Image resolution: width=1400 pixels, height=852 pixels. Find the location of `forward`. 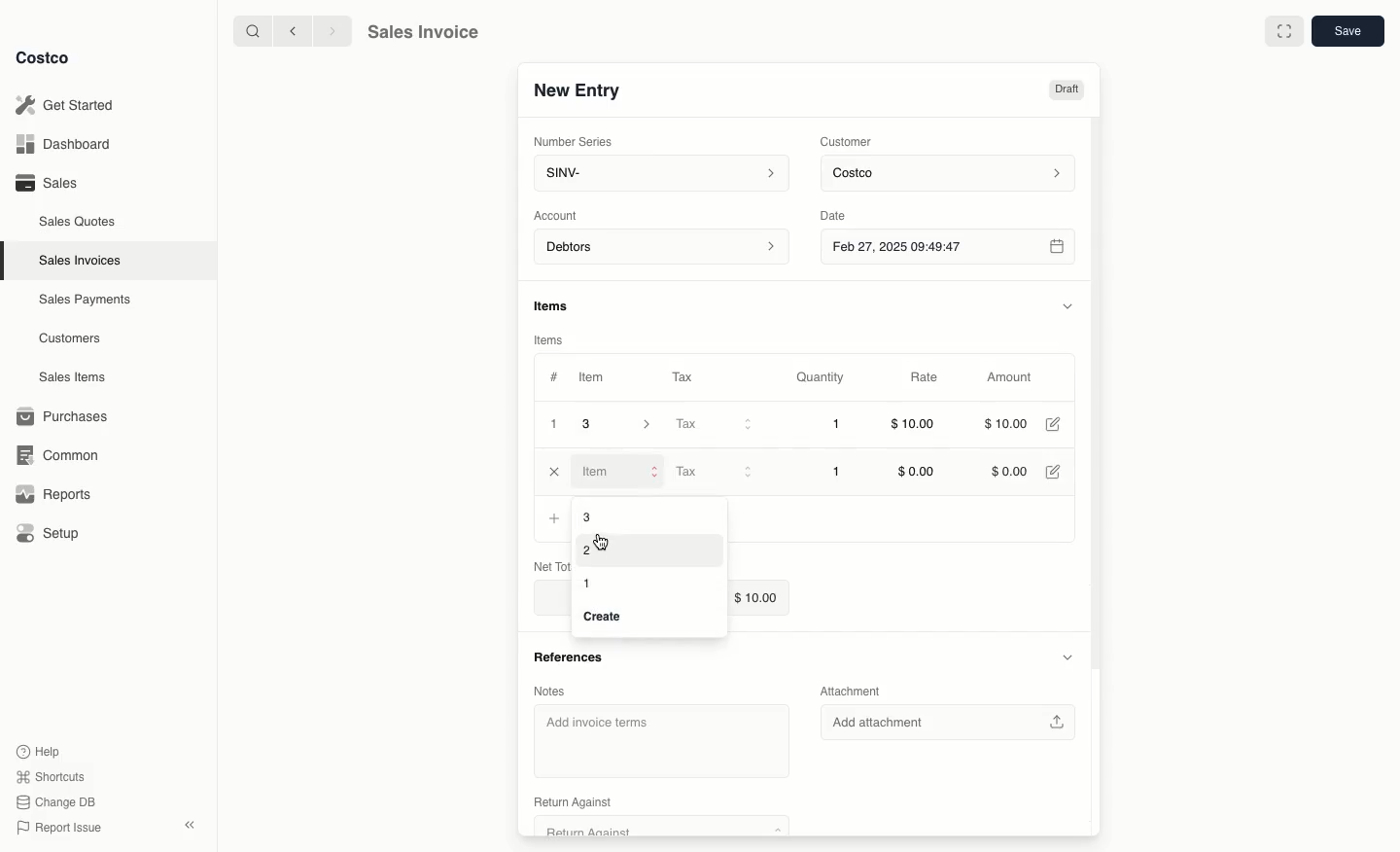

forward is located at coordinates (330, 30).